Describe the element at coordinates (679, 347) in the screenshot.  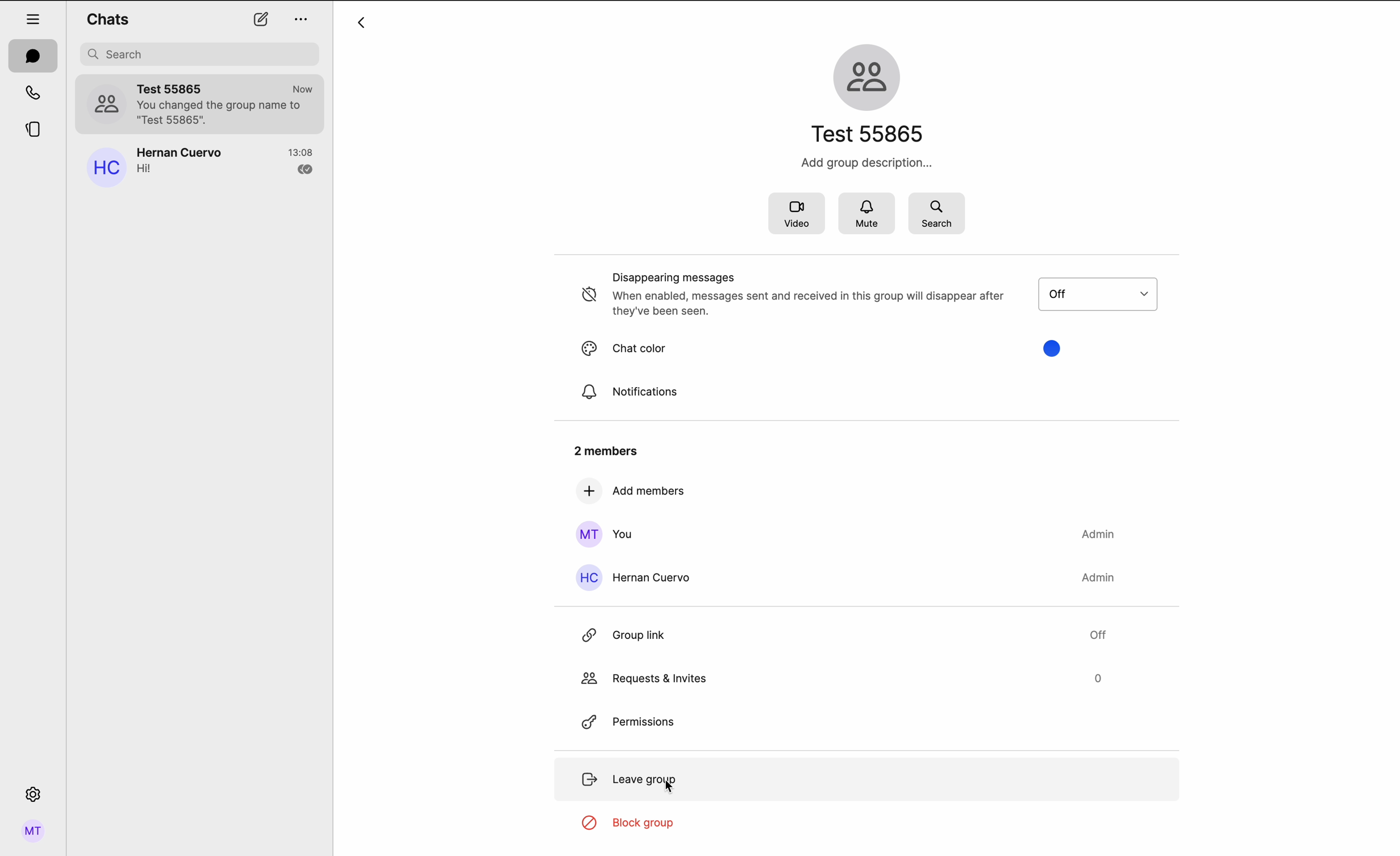
I see `blue chat color` at that location.